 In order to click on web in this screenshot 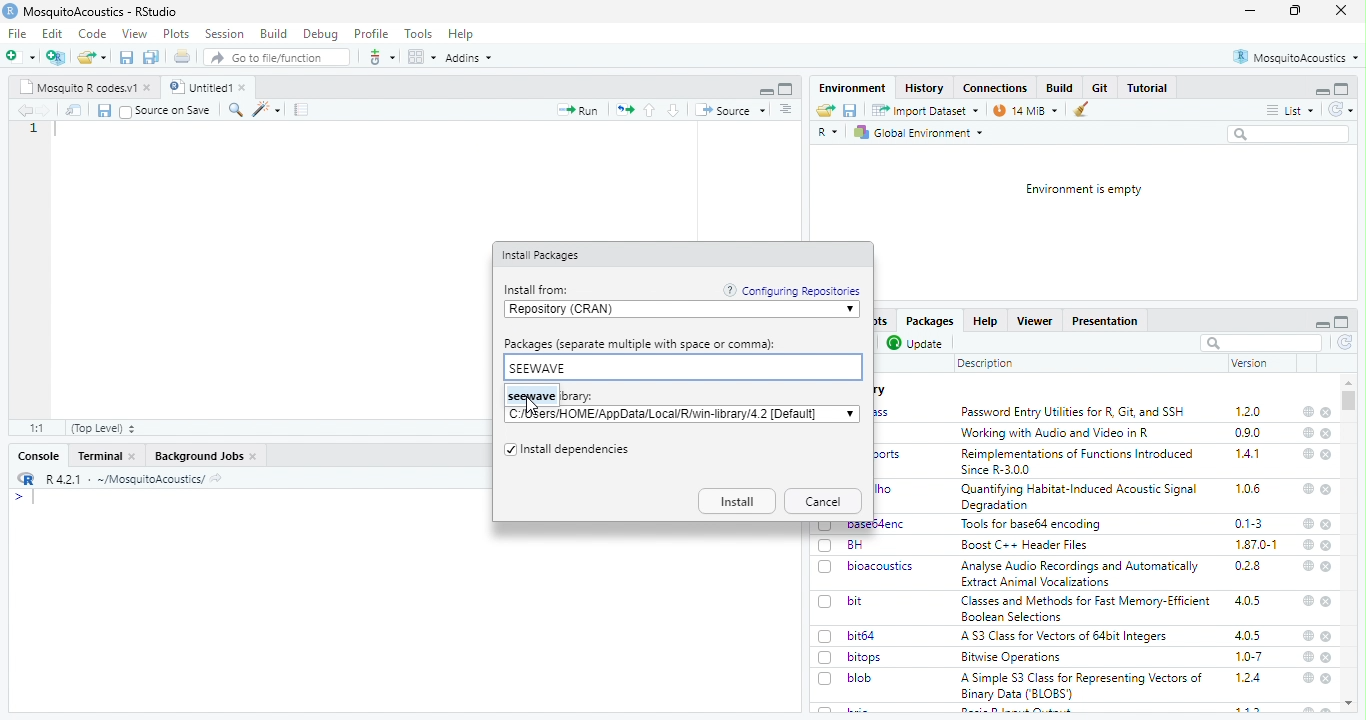, I will do `click(1308, 566)`.